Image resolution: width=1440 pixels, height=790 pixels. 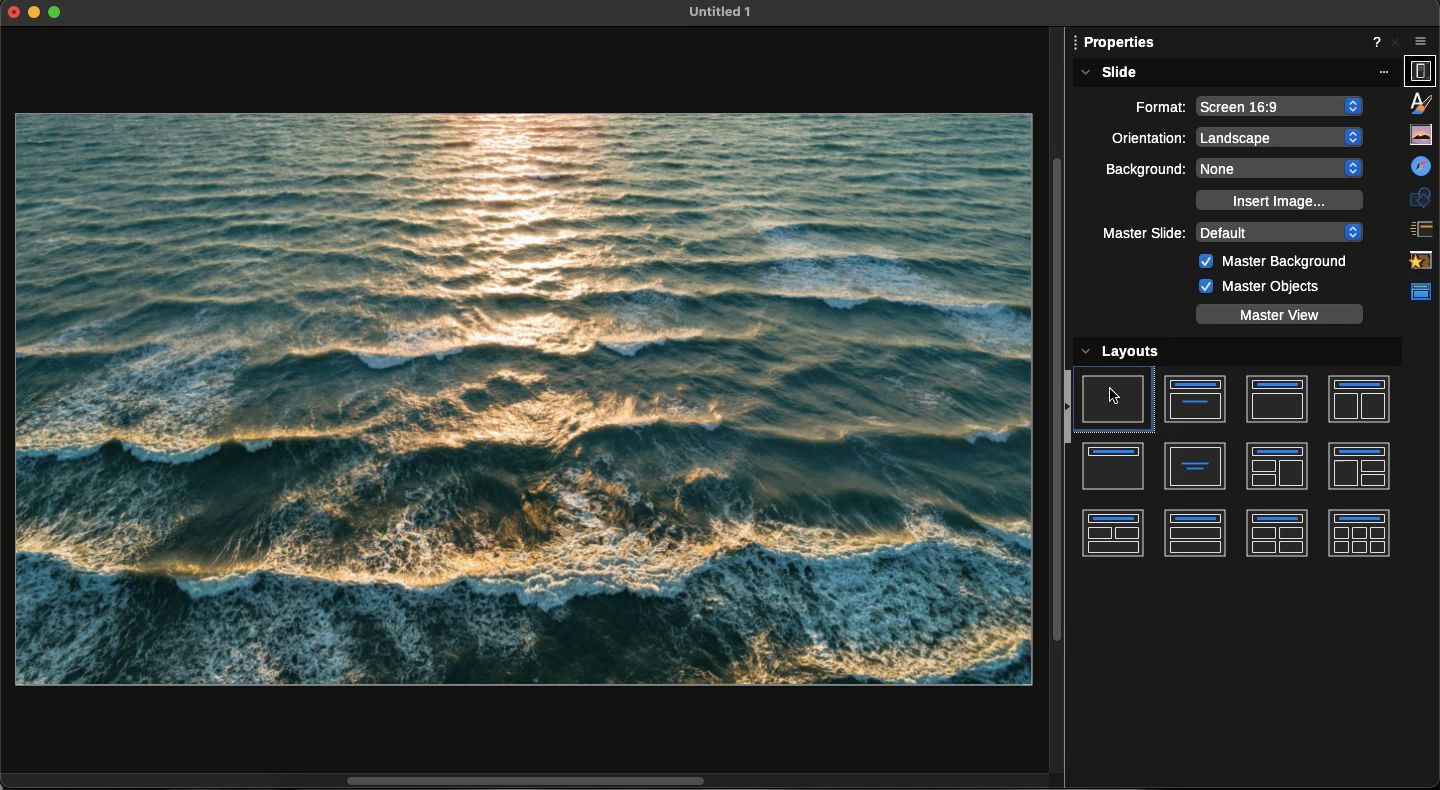 What do you see at coordinates (1145, 138) in the screenshot?
I see `Orientation` at bounding box center [1145, 138].